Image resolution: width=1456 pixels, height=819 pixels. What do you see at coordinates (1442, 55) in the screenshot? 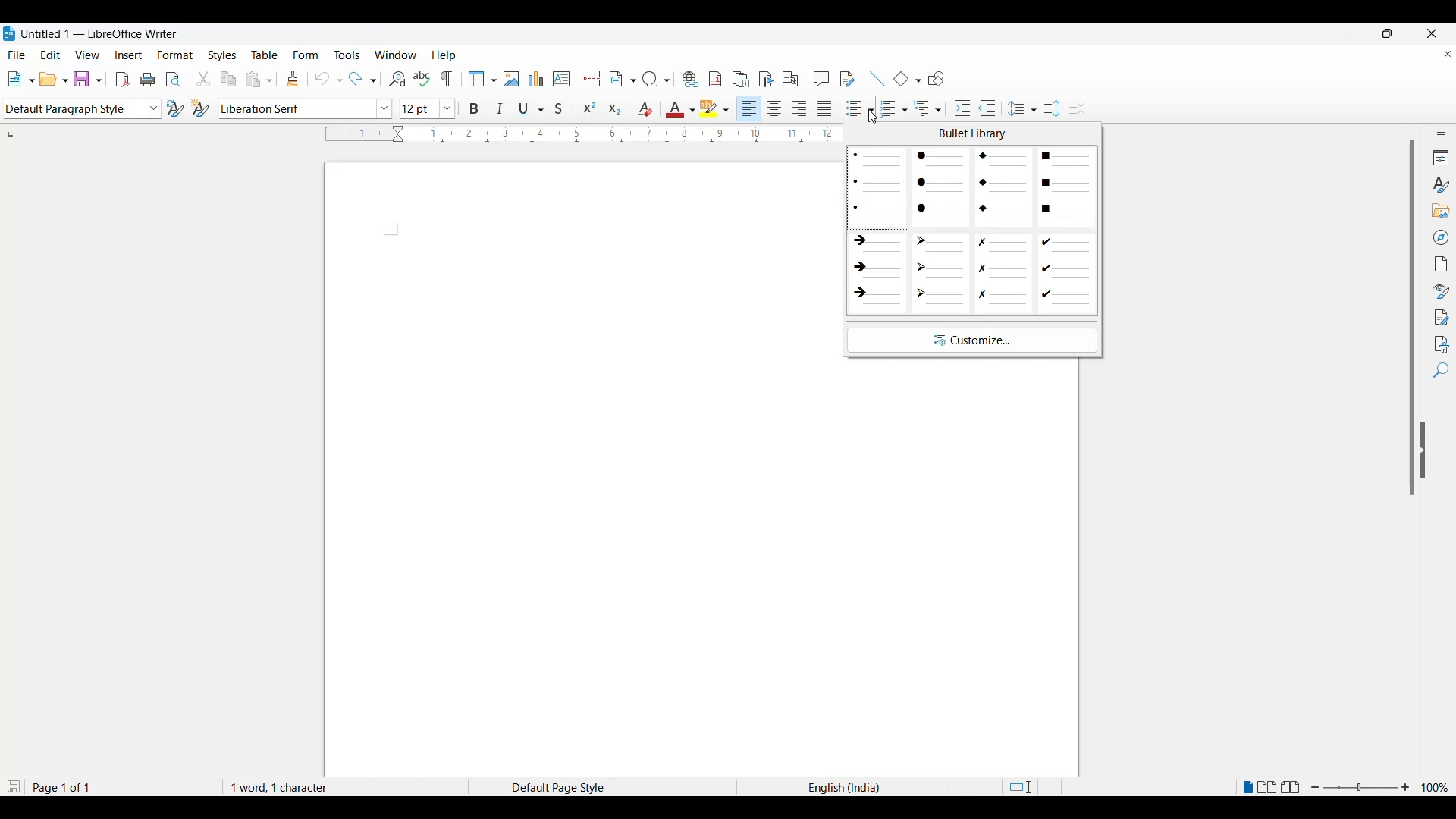
I see `close` at bounding box center [1442, 55].